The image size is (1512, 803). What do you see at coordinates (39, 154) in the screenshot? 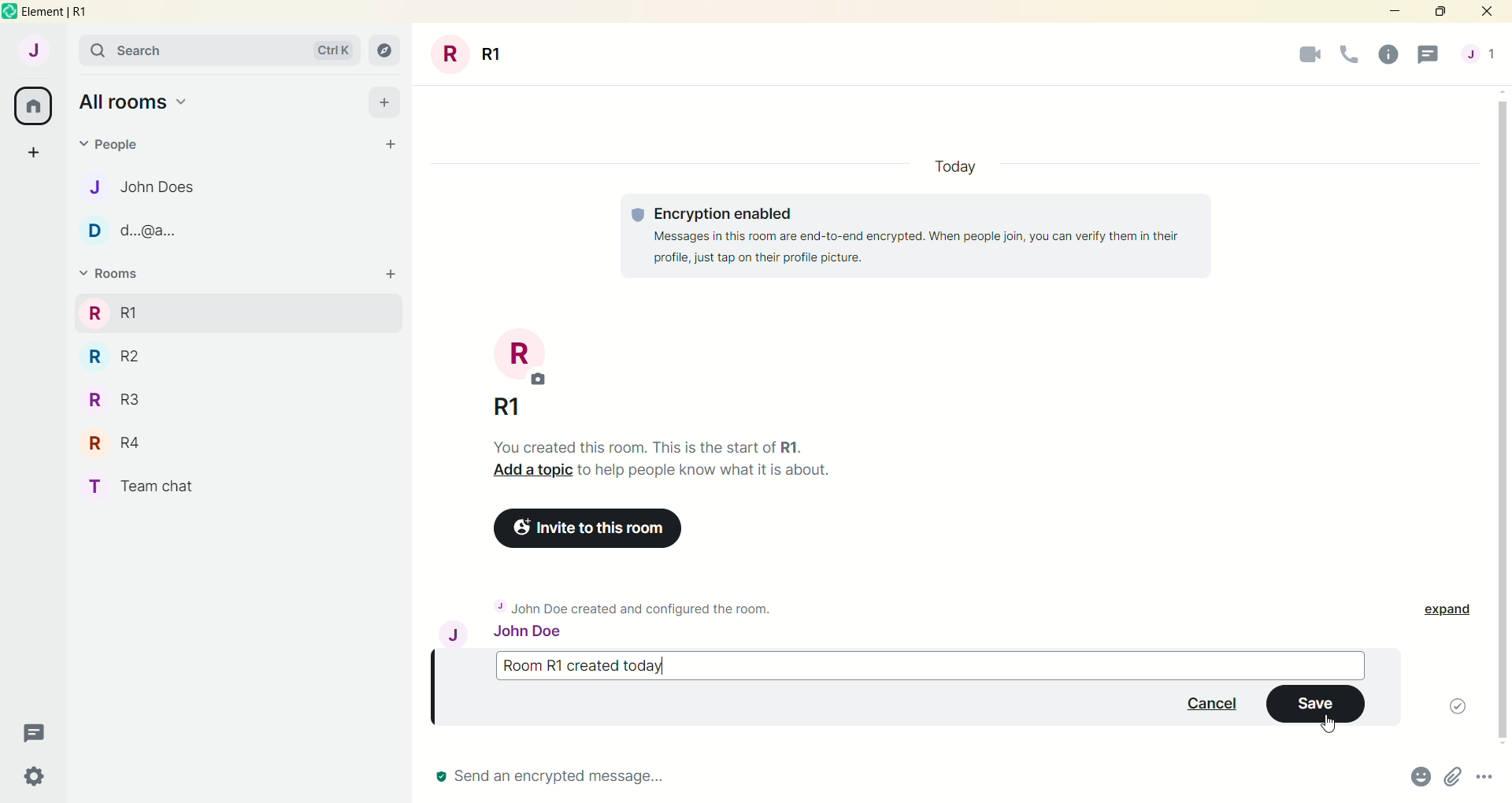
I see `create a space` at bounding box center [39, 154].